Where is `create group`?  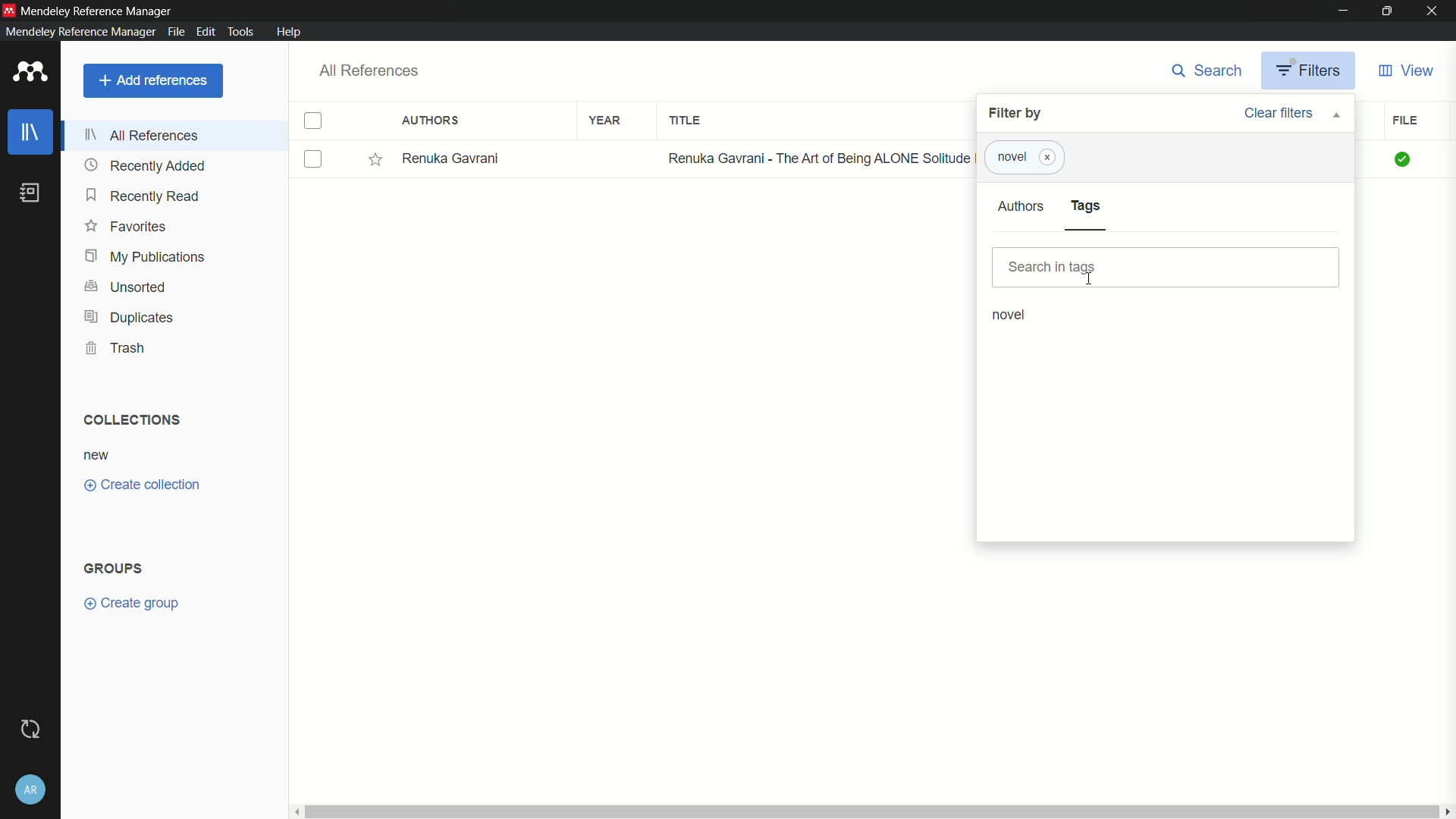
create group is located at coordinates (130, 603).